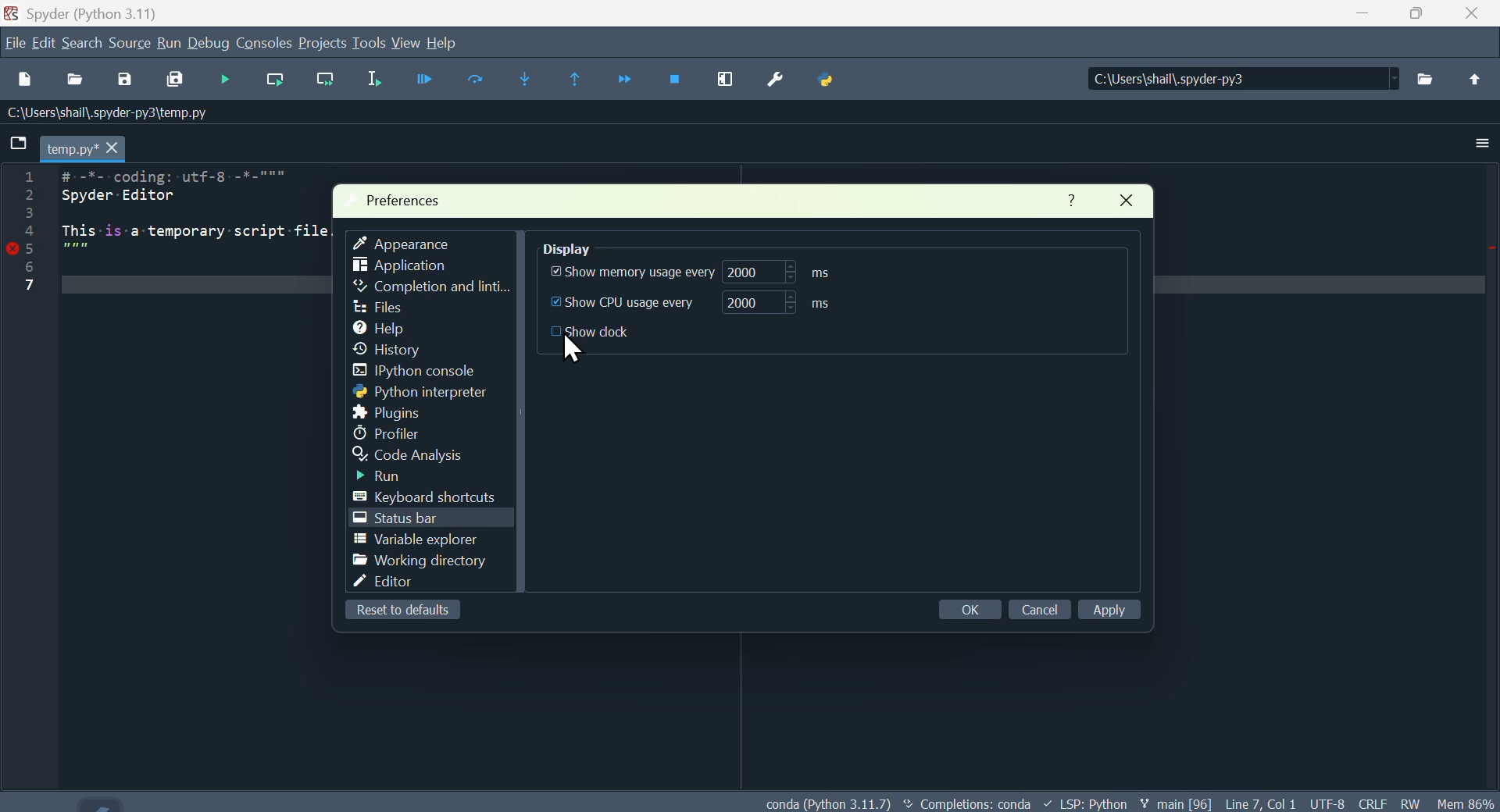 The height and width of the screenshot is (812, 1500). I want to click on Save all, so click(177, 78).